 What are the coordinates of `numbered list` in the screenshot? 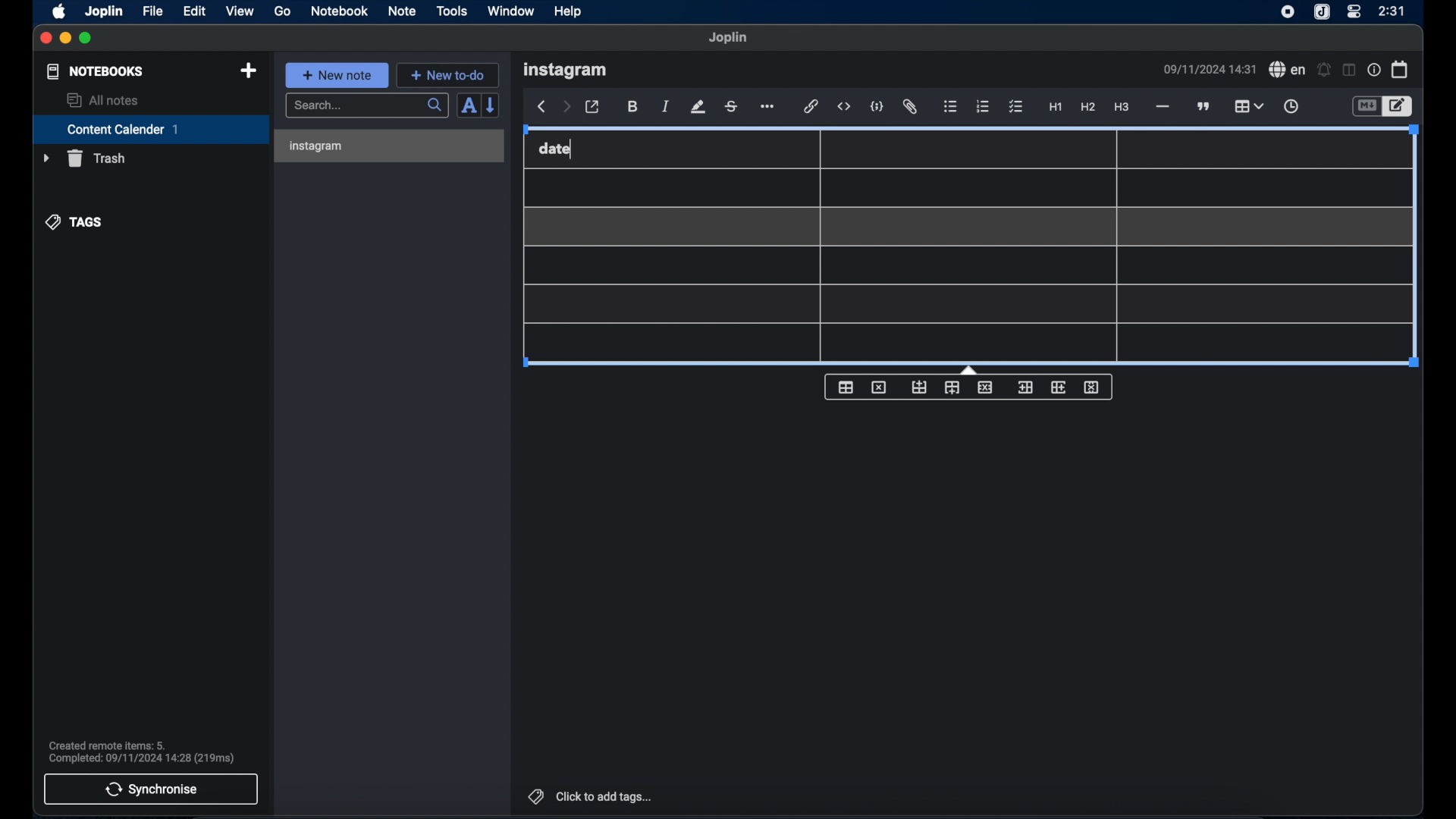 It's located at (984, 107).